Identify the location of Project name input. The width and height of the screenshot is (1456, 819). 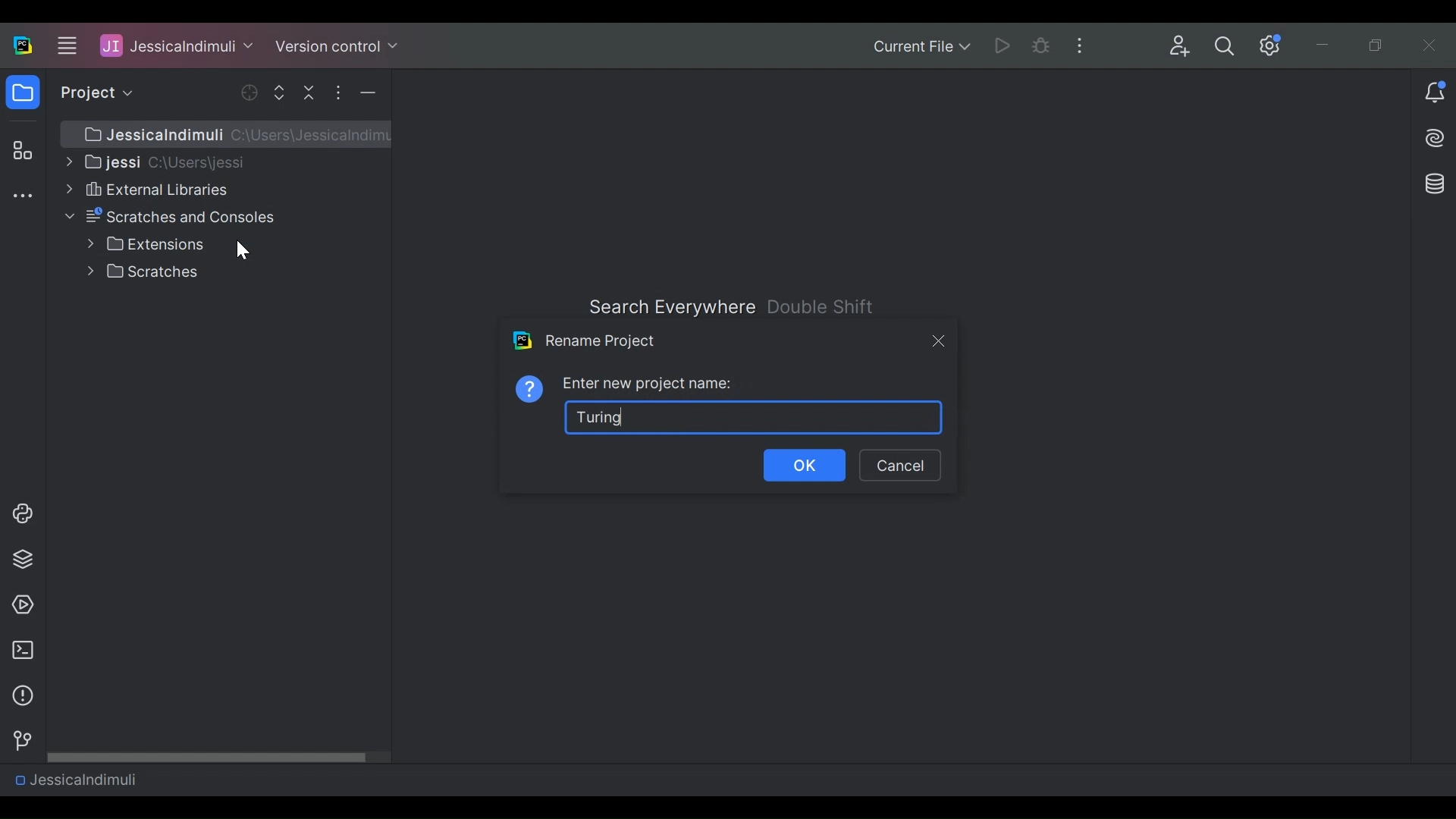
(755, 416).